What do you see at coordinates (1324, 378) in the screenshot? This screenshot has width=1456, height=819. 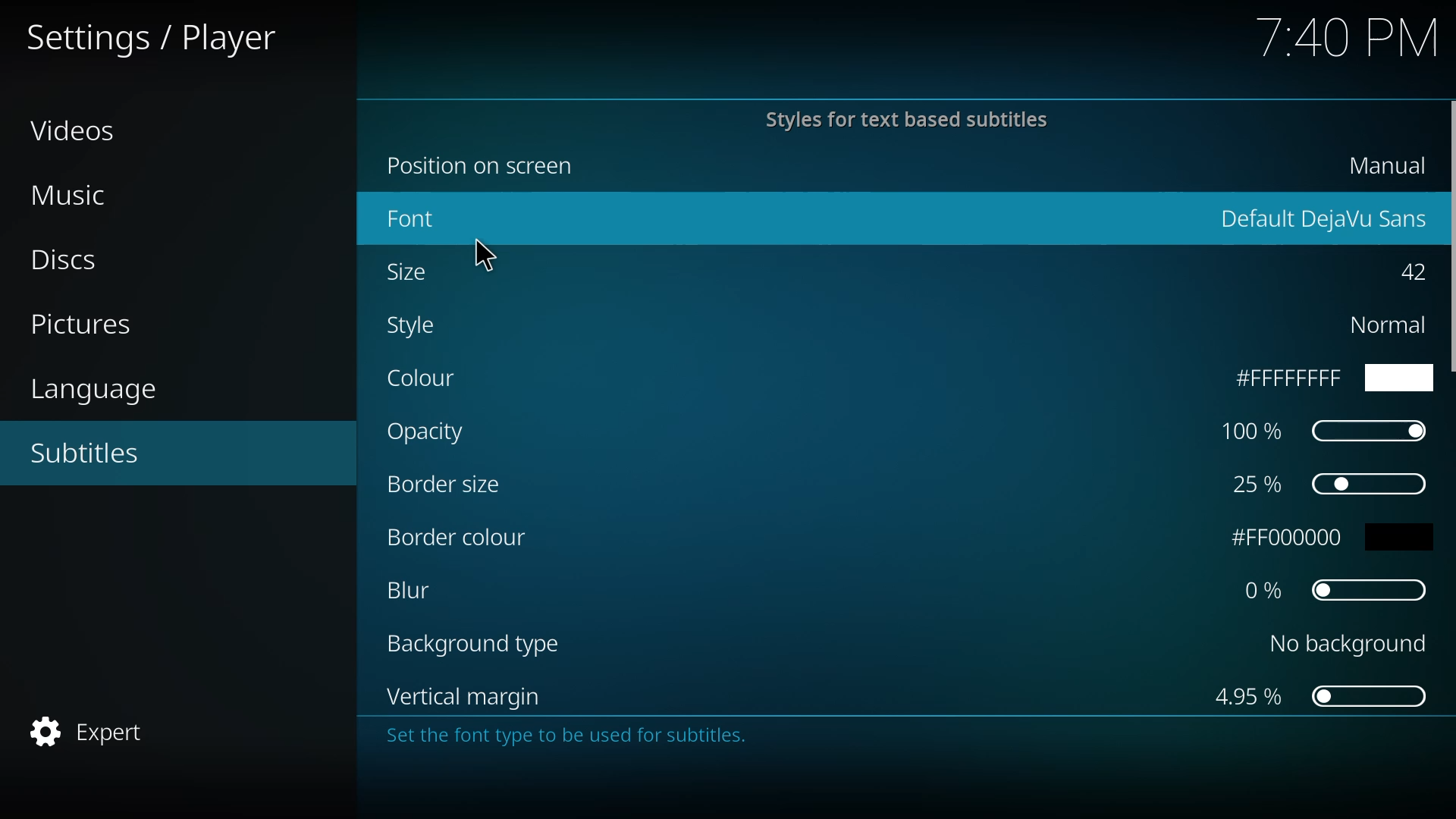 I see `ffff` at bounding box center [1324, 378].